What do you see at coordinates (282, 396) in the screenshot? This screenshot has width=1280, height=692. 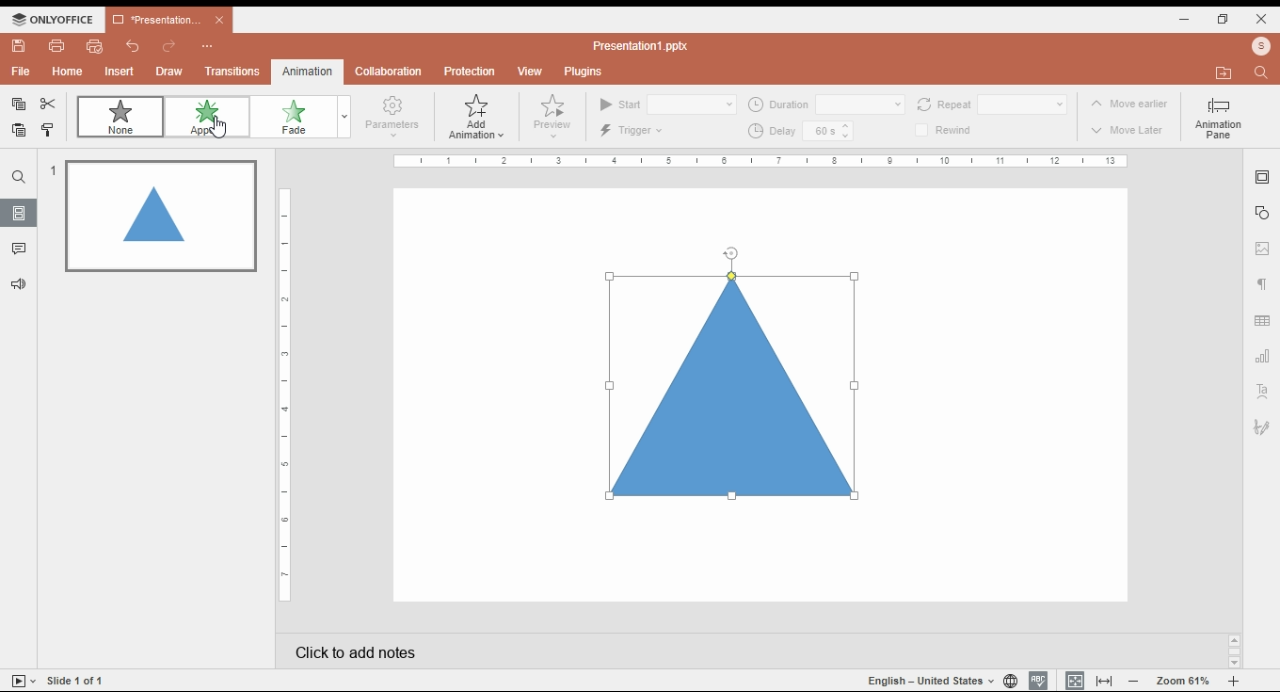 I see `vertical scale` at bounding box center [282, 396].